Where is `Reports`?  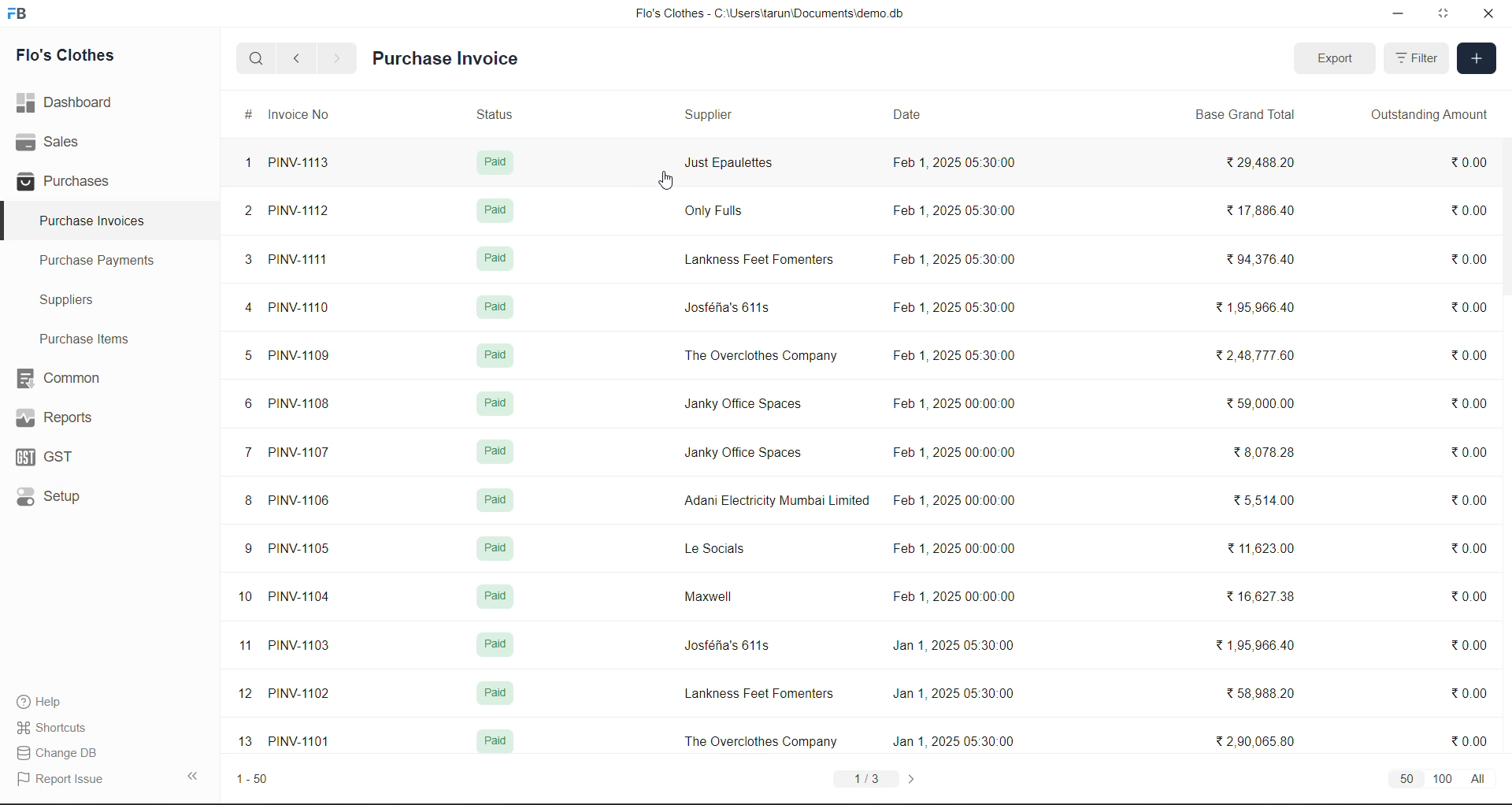 Reports is located at coordinates (71, 417).